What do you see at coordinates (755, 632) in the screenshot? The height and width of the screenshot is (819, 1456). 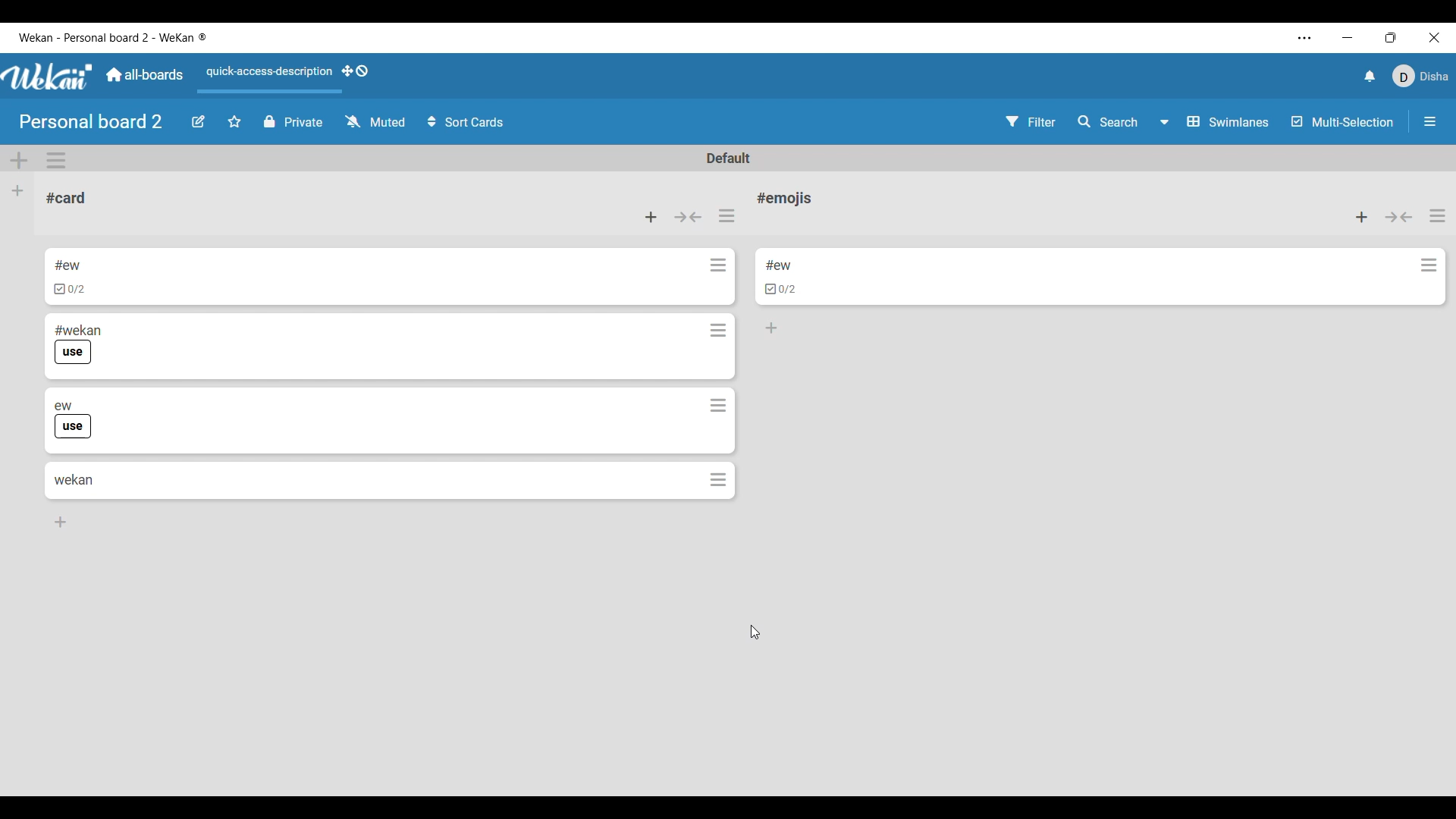 I see `Cursor` at bounding box center [755, 632].